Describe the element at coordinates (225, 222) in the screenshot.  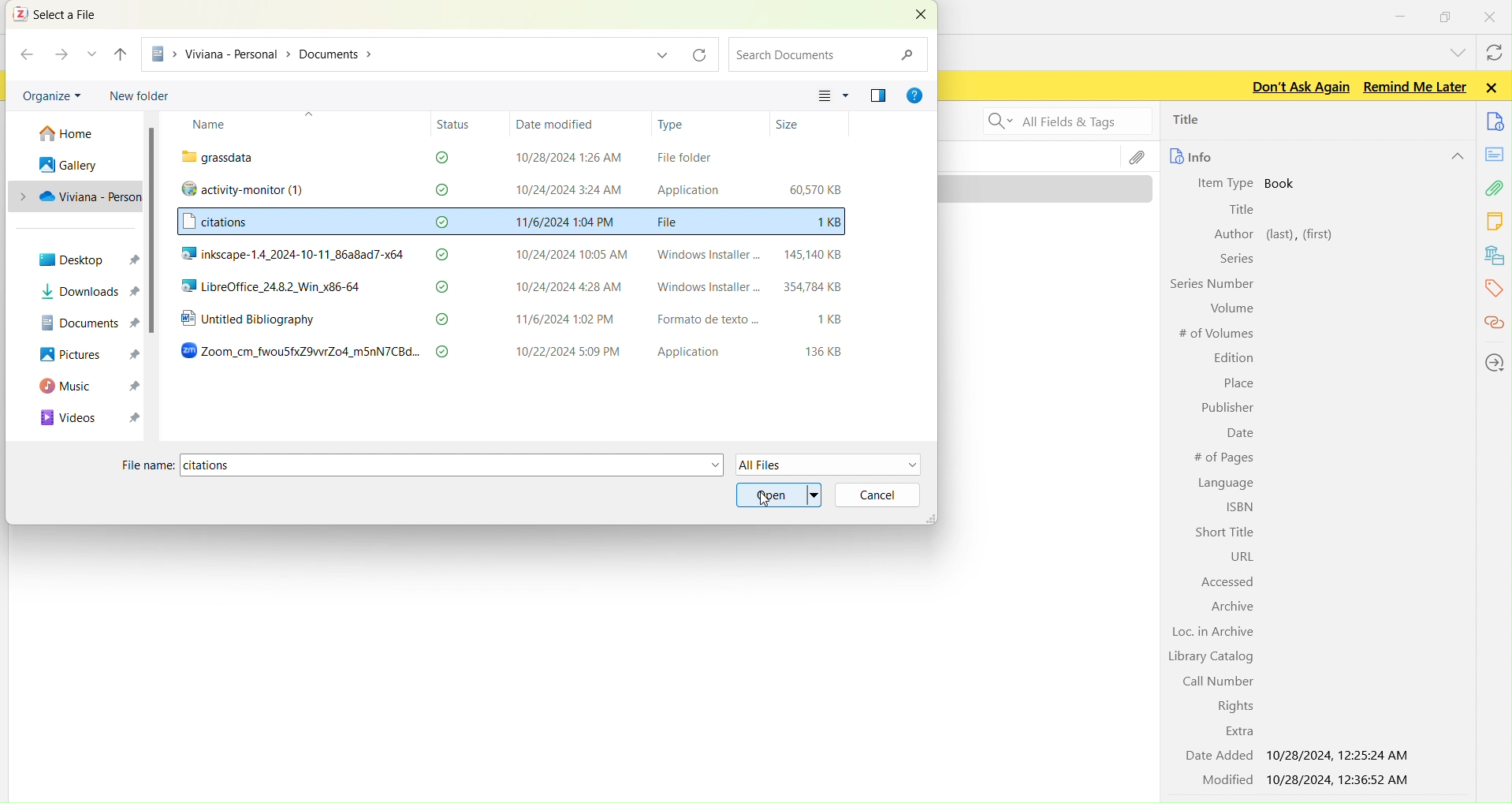
I see `citations` at that location.